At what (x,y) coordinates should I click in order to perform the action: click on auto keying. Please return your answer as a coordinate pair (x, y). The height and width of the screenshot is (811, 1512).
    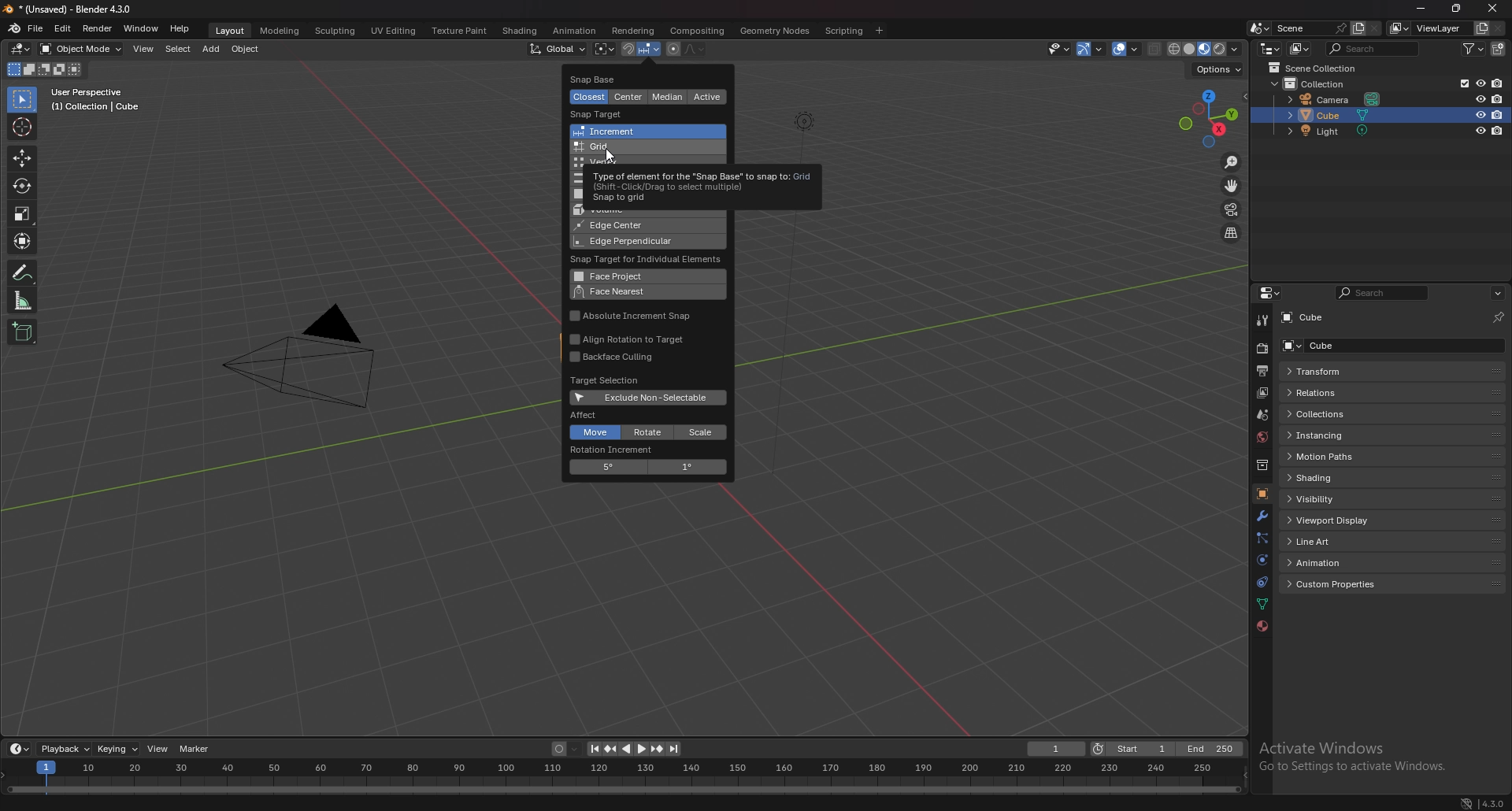
    Looking at the image, I should click on (566, 749).